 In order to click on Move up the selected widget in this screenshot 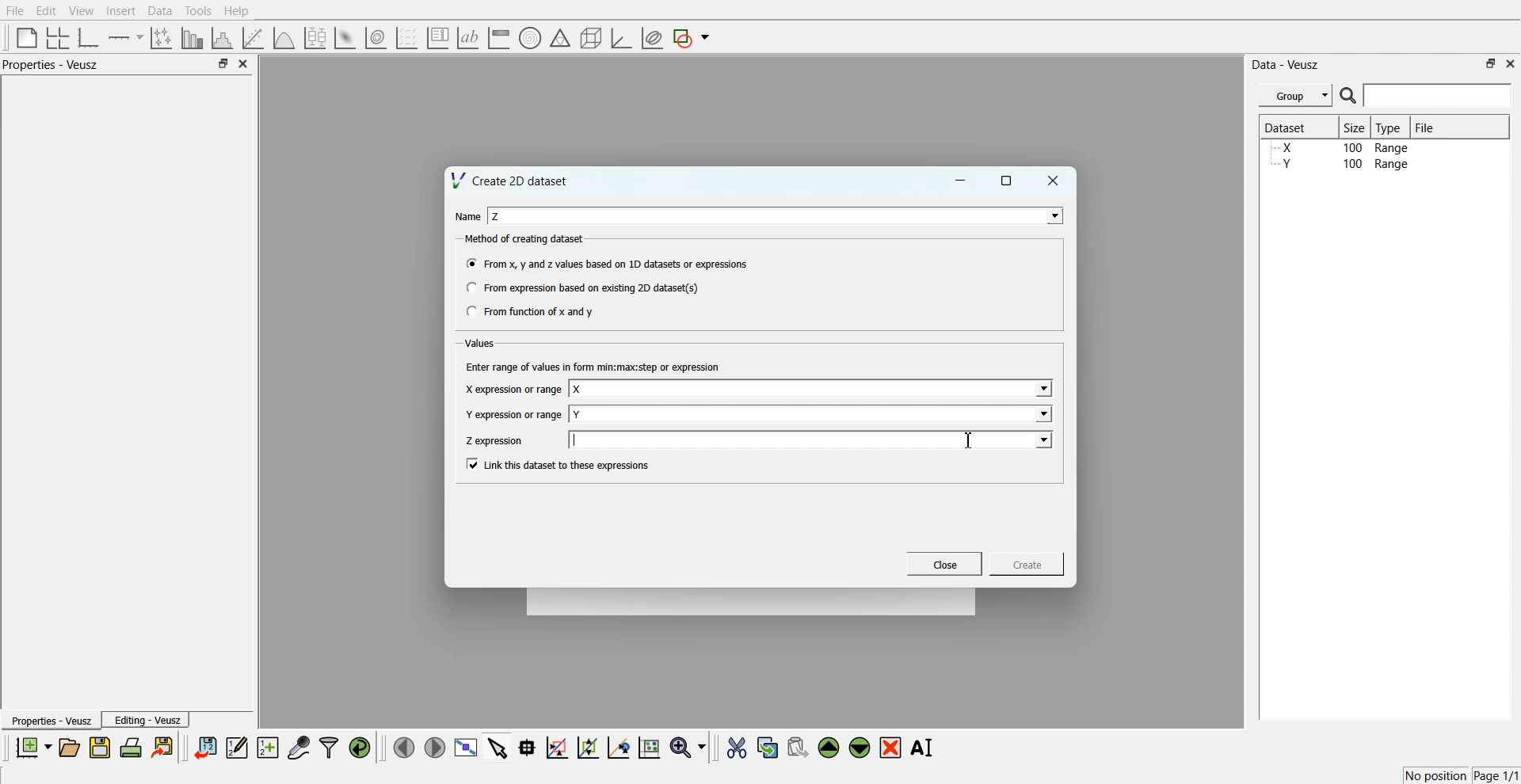, I will do `click(829, 748)`.